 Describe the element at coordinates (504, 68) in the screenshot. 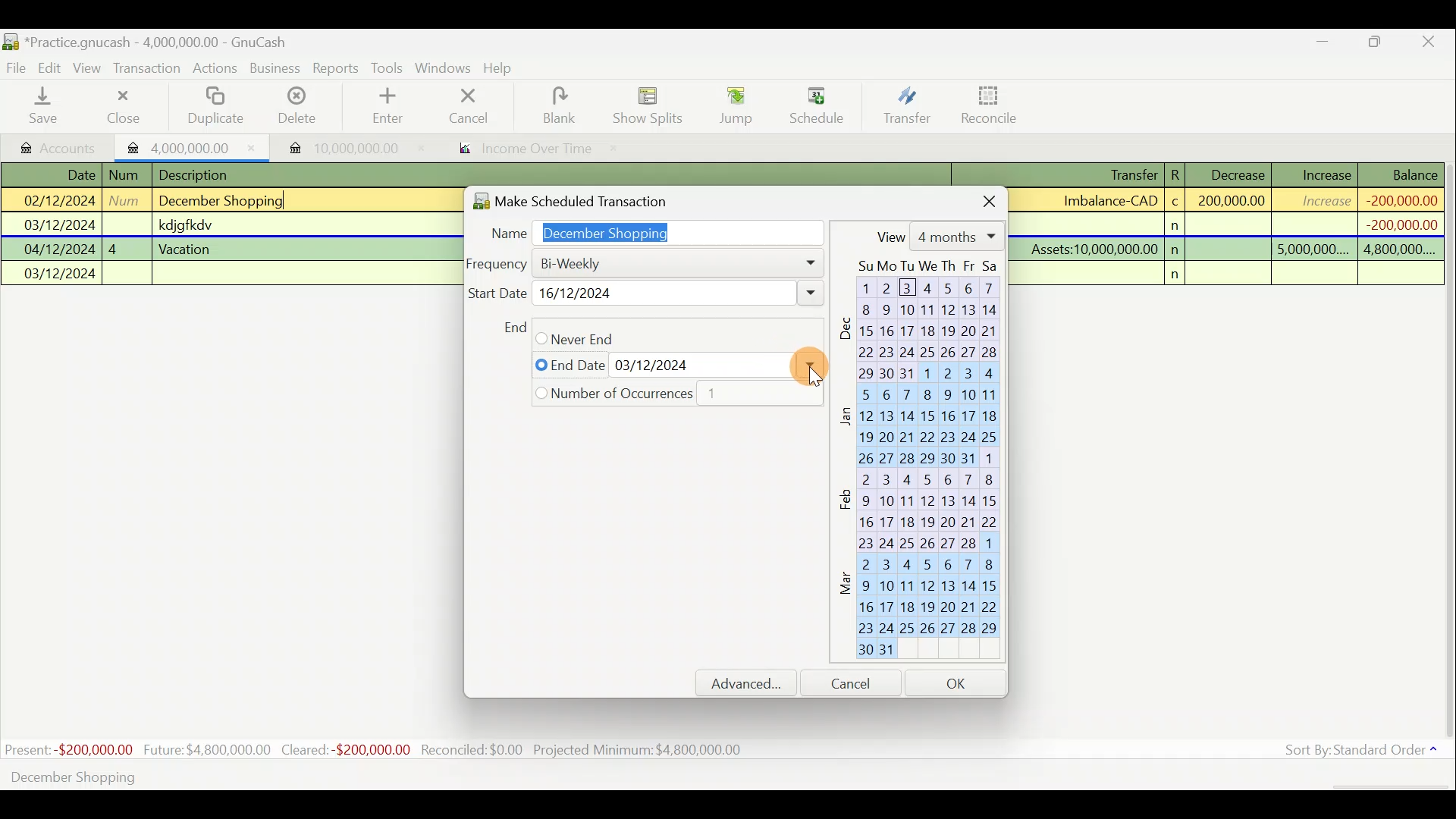

I see `Help` at that location.